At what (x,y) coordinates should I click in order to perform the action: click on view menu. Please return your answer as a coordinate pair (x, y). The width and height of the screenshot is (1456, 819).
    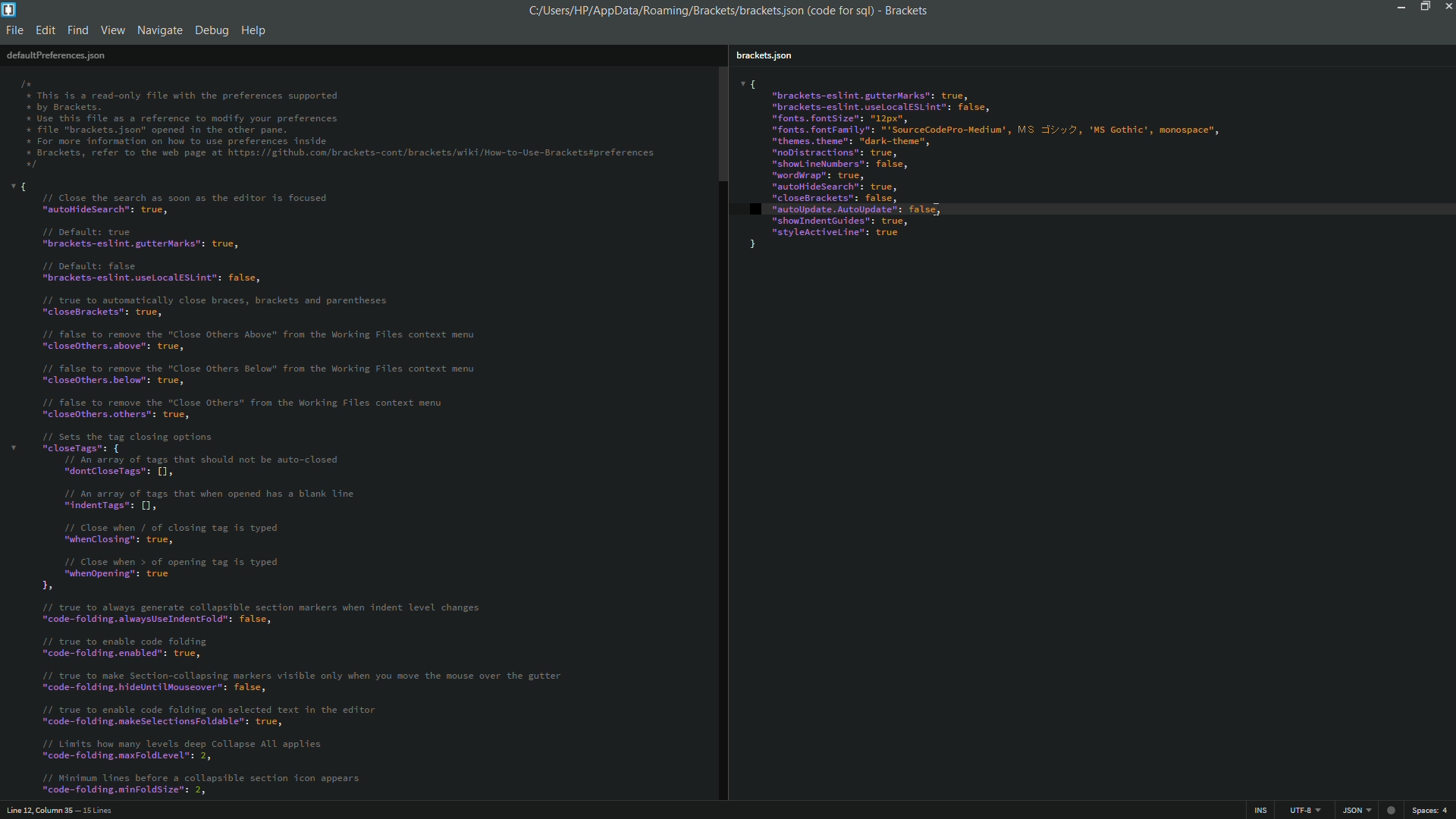
    Looking at the image, I should click on (113, 30).